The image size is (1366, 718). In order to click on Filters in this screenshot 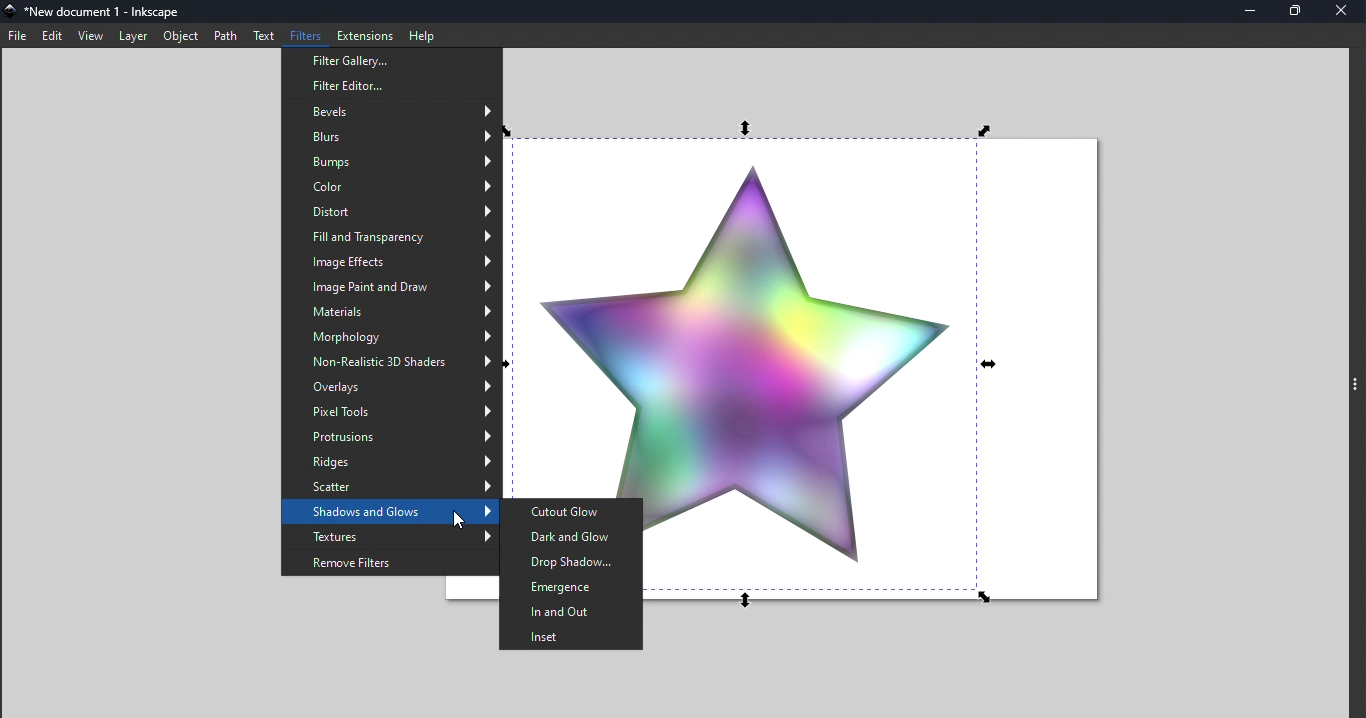, I will do `click(306, 36)`.